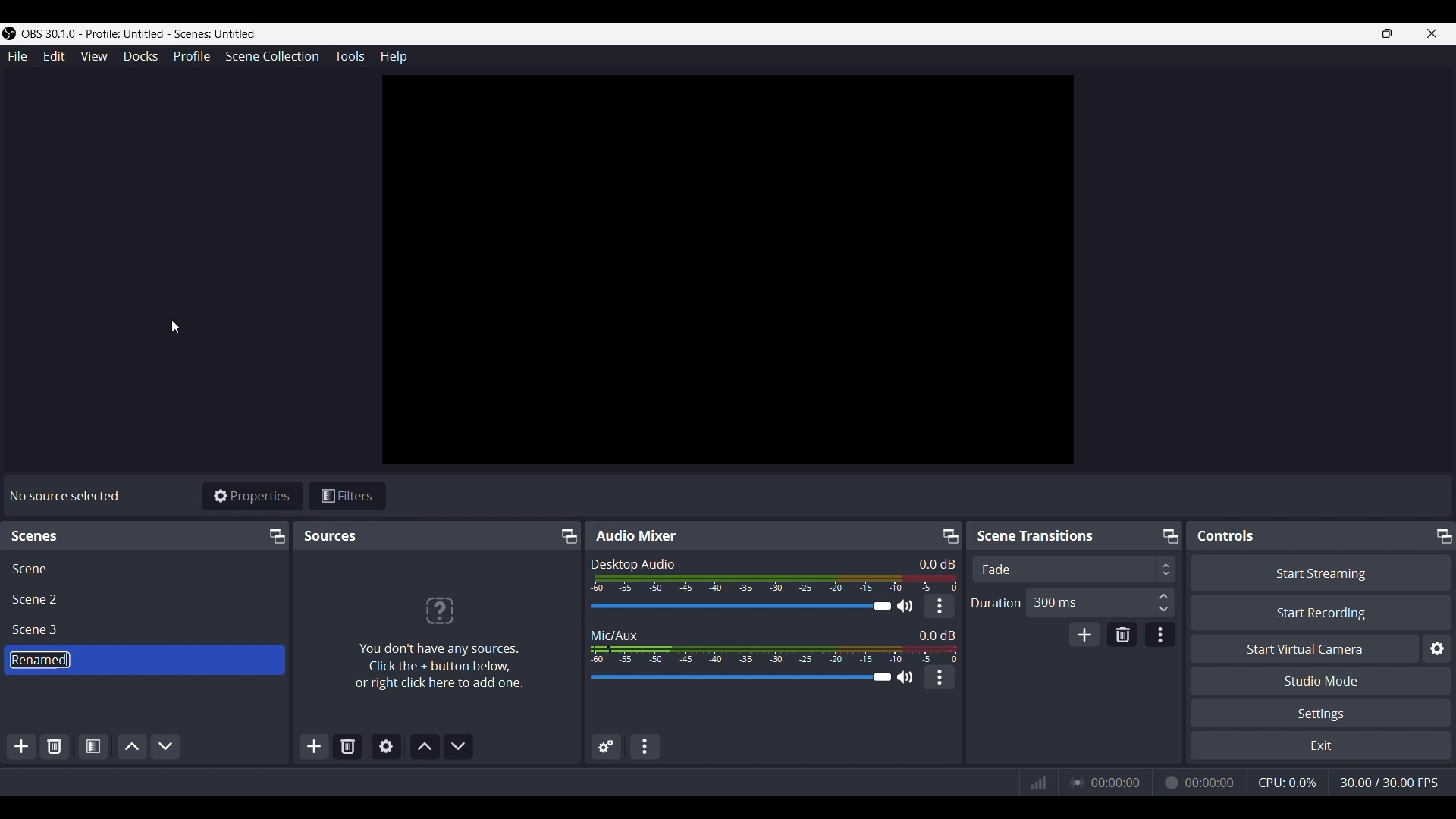  I want to click on canvas, so click(732, 274).